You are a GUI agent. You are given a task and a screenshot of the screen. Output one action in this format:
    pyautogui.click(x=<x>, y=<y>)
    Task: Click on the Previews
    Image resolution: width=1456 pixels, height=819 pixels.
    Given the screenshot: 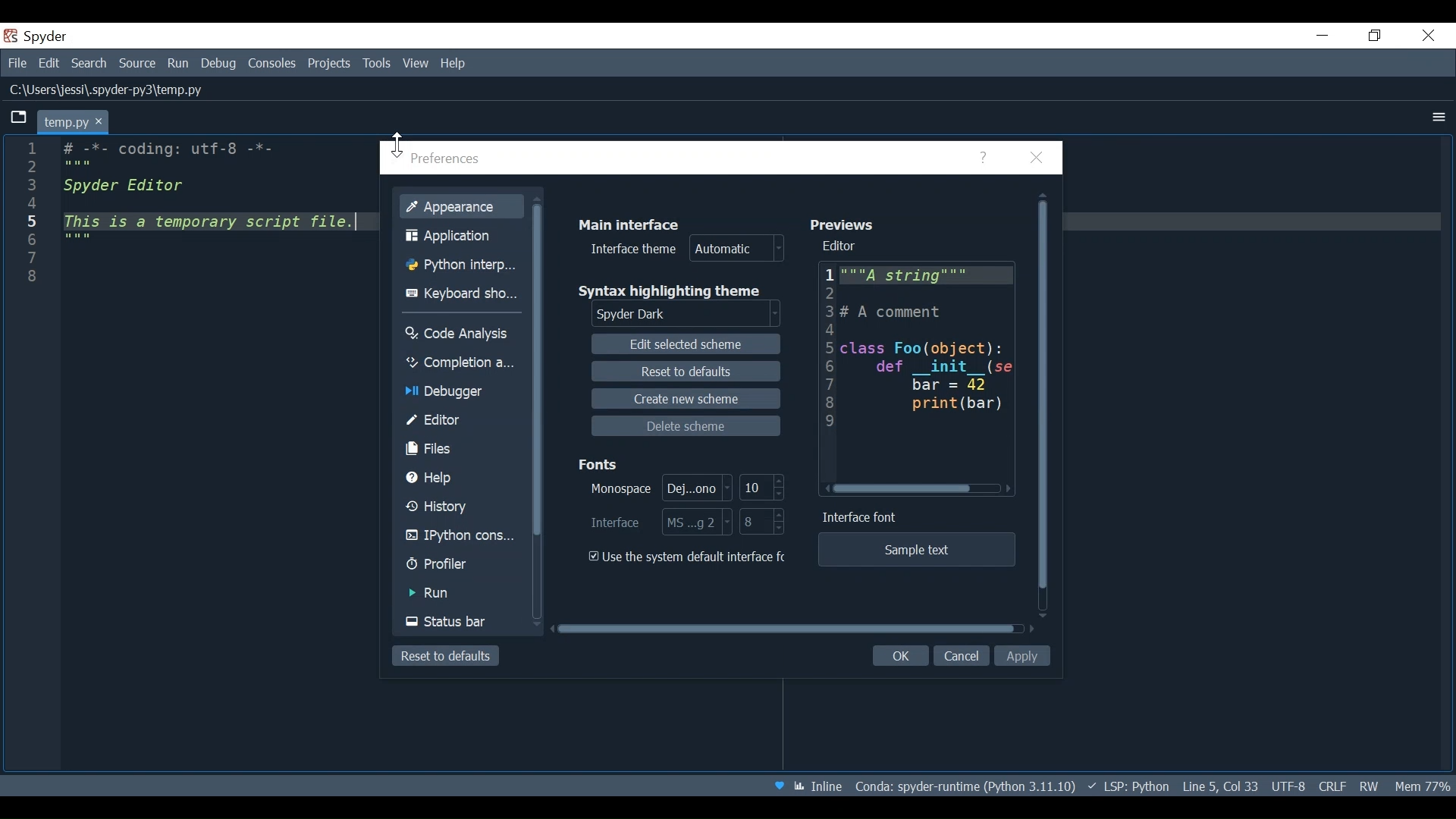 What is the action you would take?
    pyautogui.click(x=848, y=225)
    